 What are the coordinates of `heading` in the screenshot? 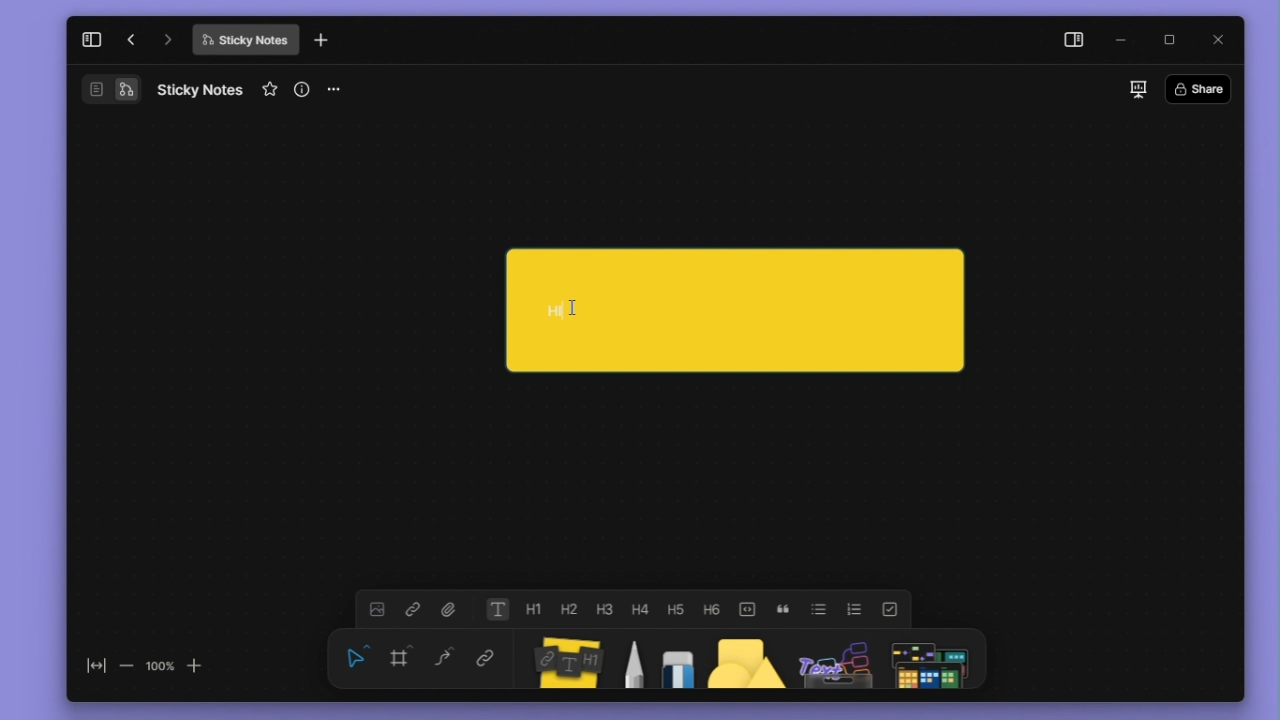 It's located at (537, 608).